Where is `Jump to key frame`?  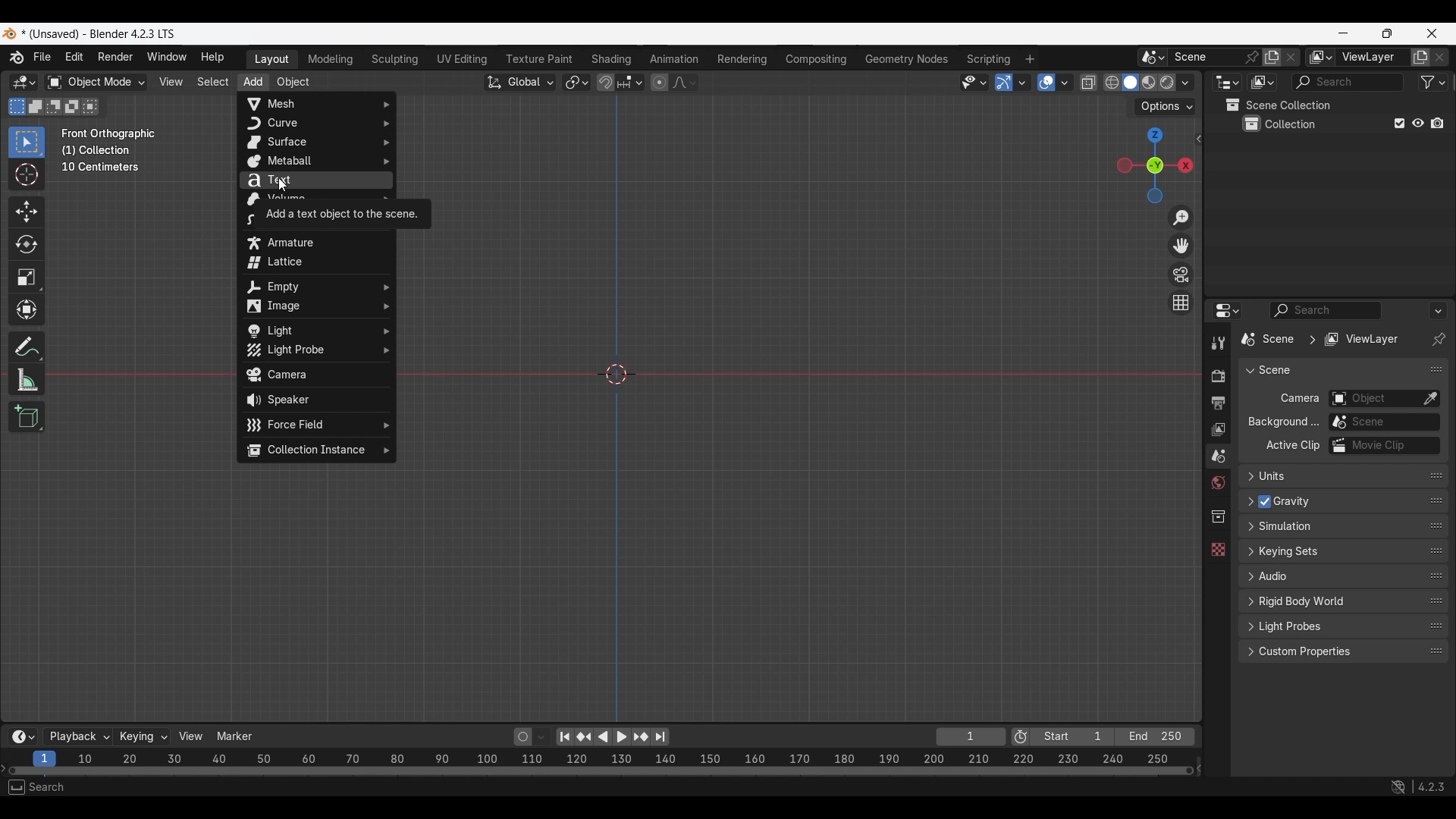 Jump to key frame is located at coordinates (641, 737).